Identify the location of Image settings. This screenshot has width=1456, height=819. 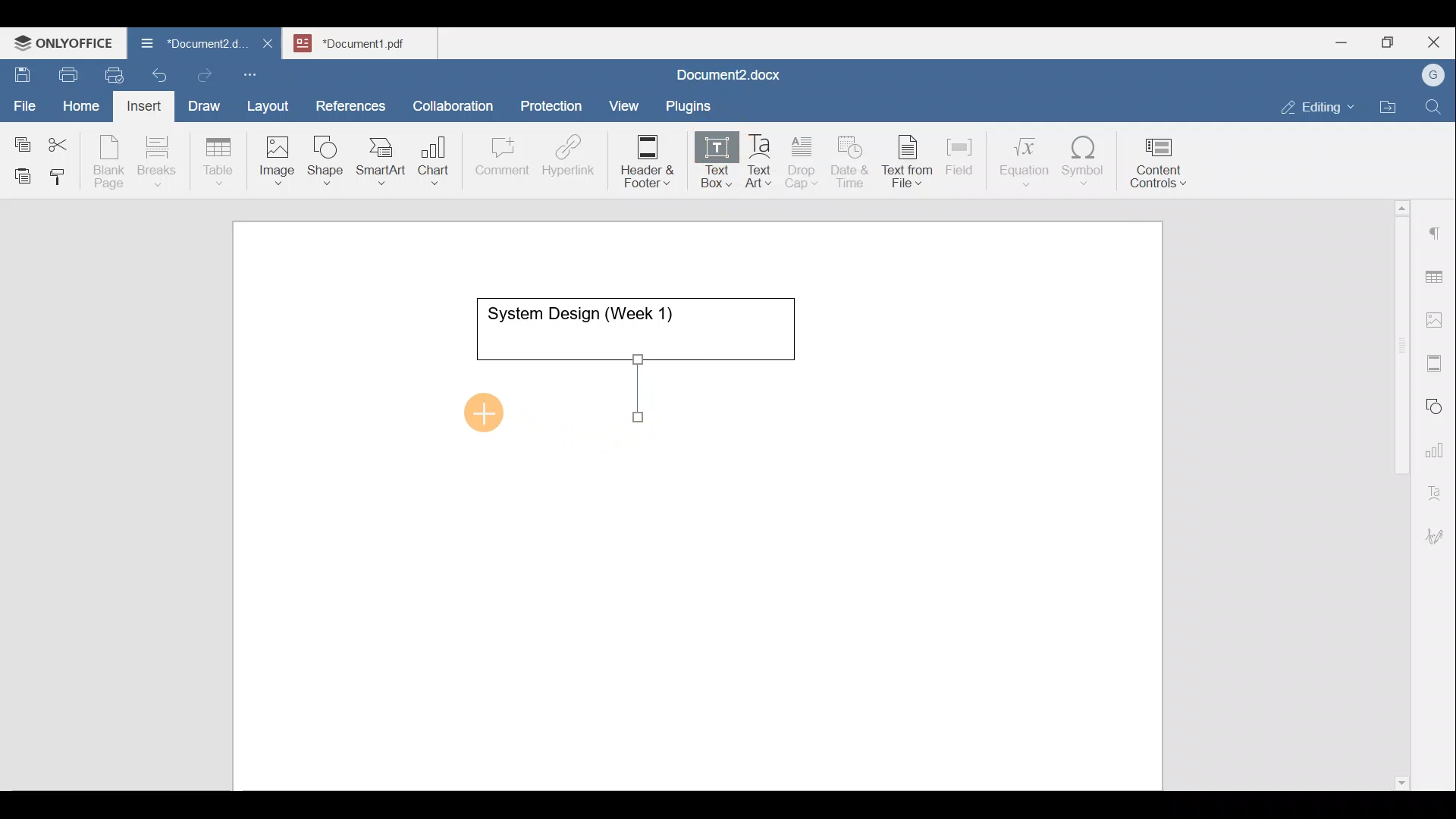
(1437, 318).